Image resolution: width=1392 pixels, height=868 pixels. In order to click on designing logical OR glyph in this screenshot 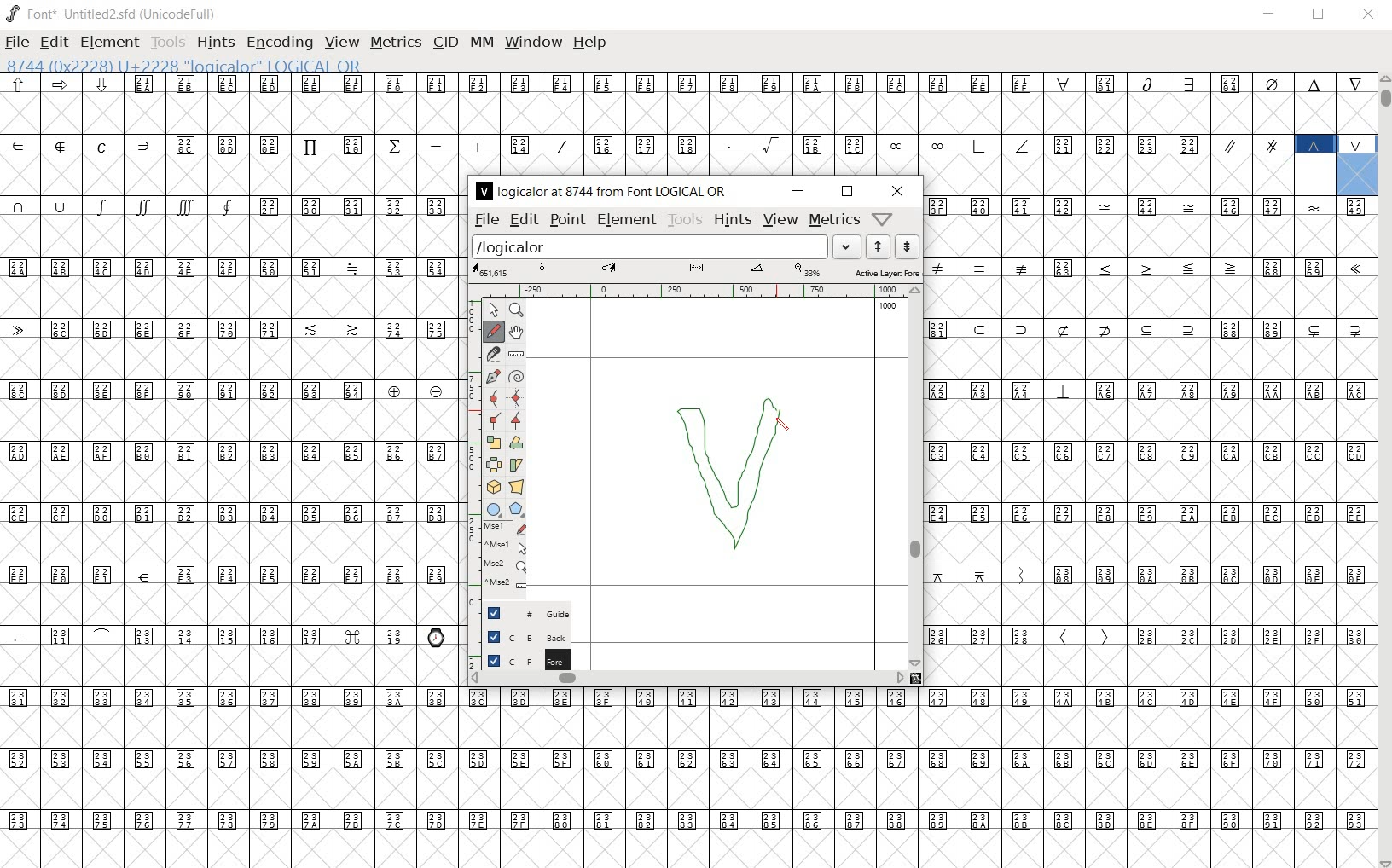, I will do `click(732, 465)`.